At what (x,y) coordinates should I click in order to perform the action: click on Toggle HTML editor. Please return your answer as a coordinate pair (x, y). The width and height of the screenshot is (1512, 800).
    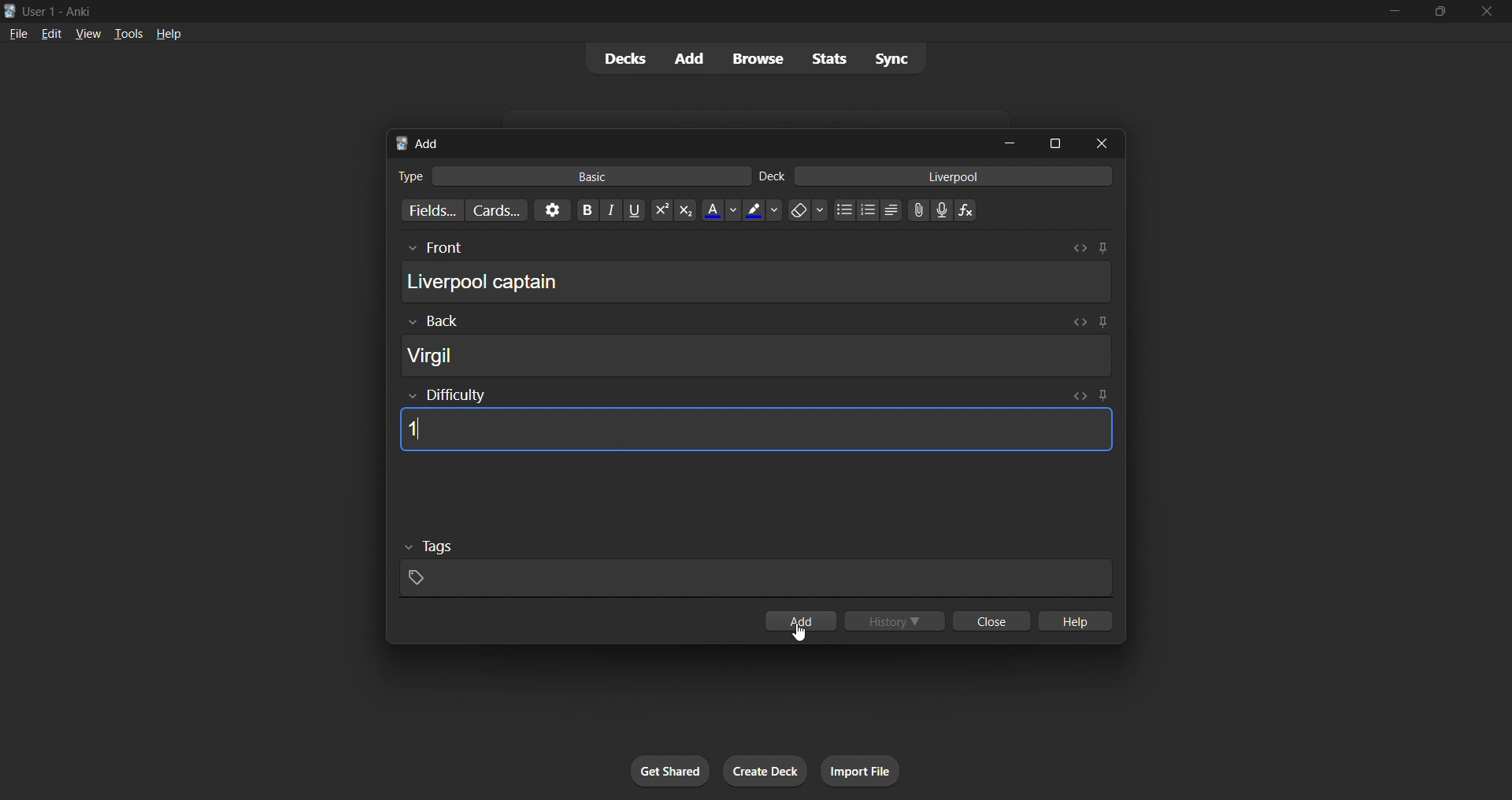
    Looking at the image, I should click on (1080, 248).